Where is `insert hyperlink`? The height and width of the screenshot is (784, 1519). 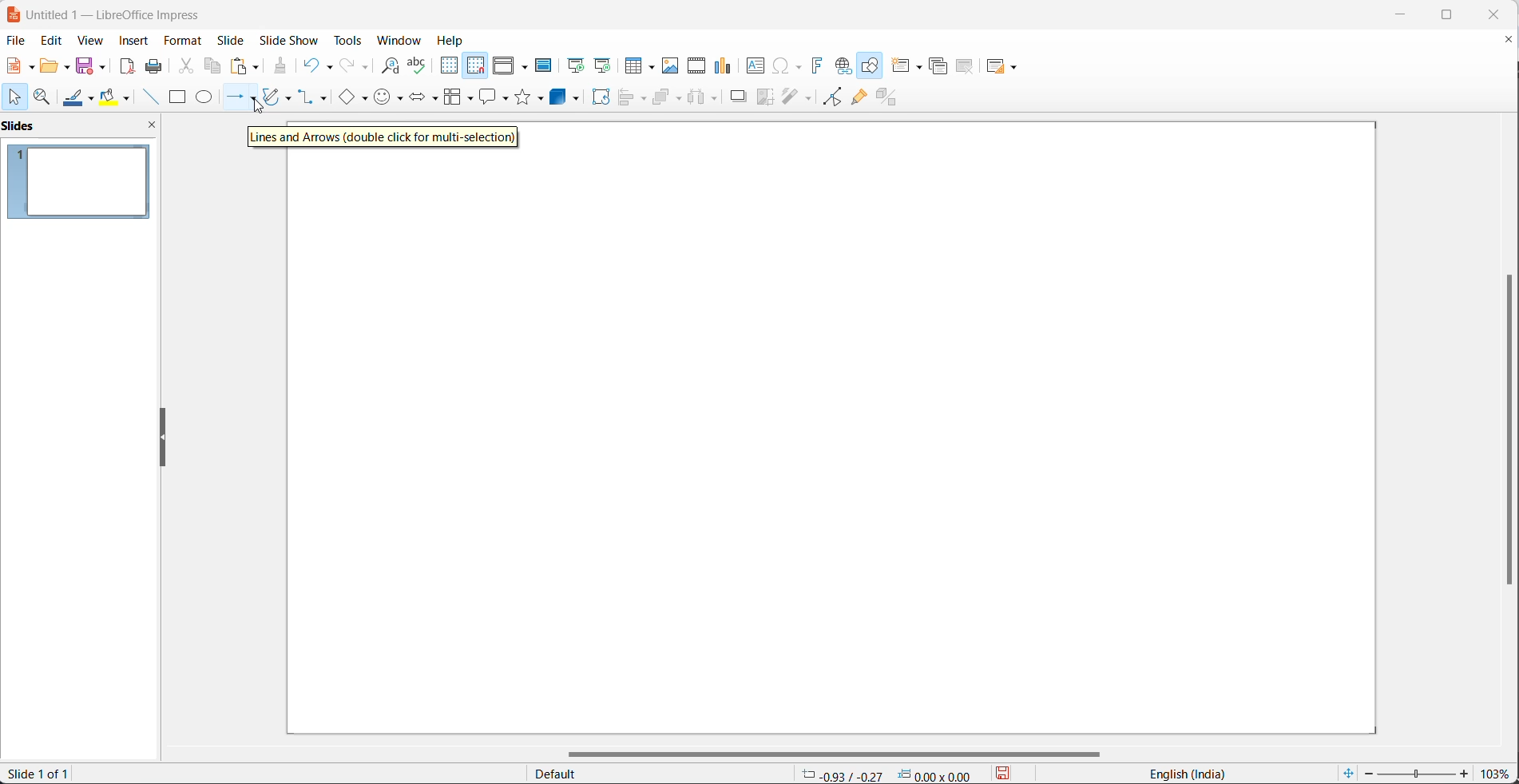
insert hyperlink is located at coordinates (842, 66).